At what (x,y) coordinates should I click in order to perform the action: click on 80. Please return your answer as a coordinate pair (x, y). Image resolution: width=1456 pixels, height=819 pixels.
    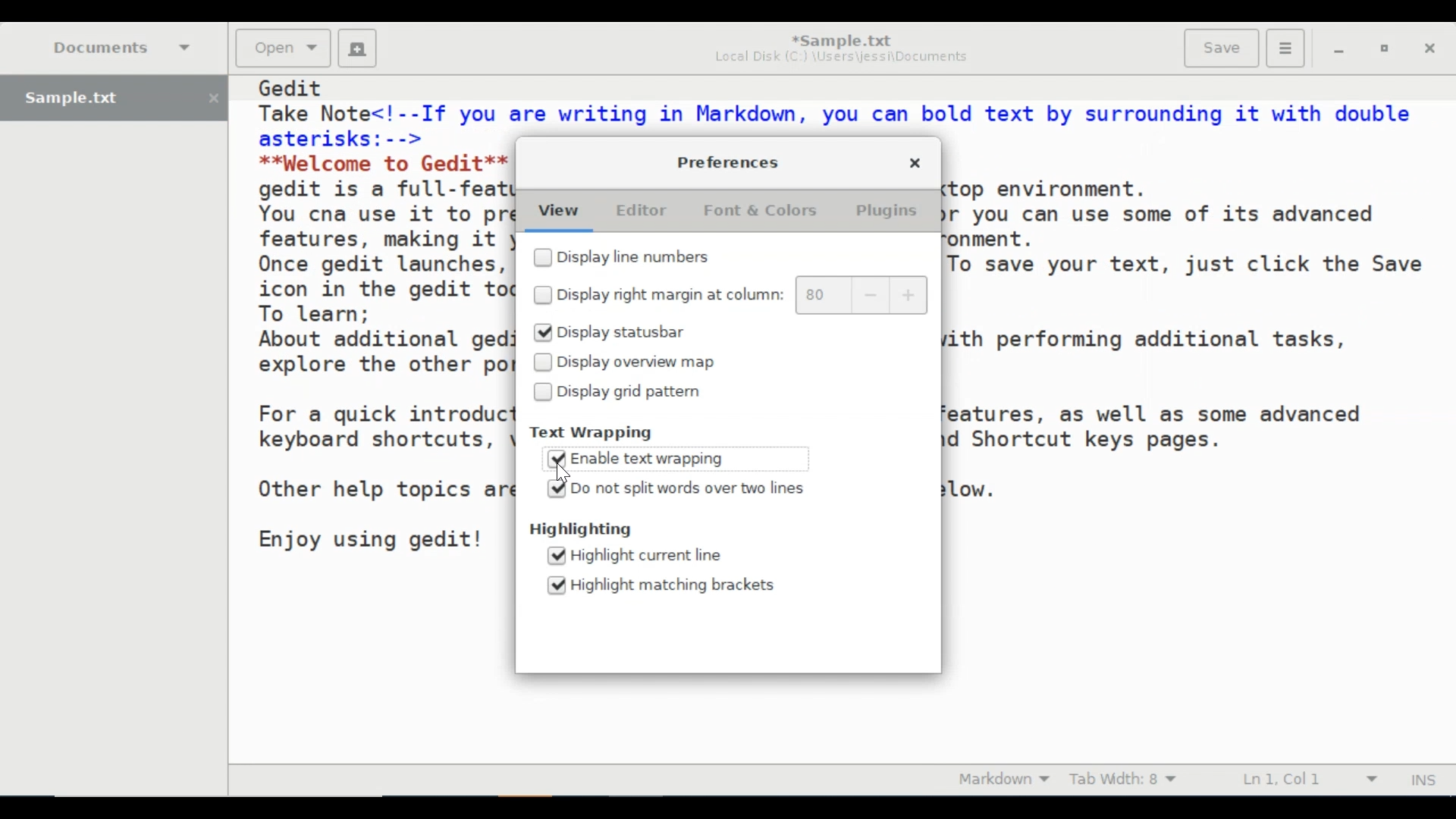
    Looking at the image, I should click on (824, 294).